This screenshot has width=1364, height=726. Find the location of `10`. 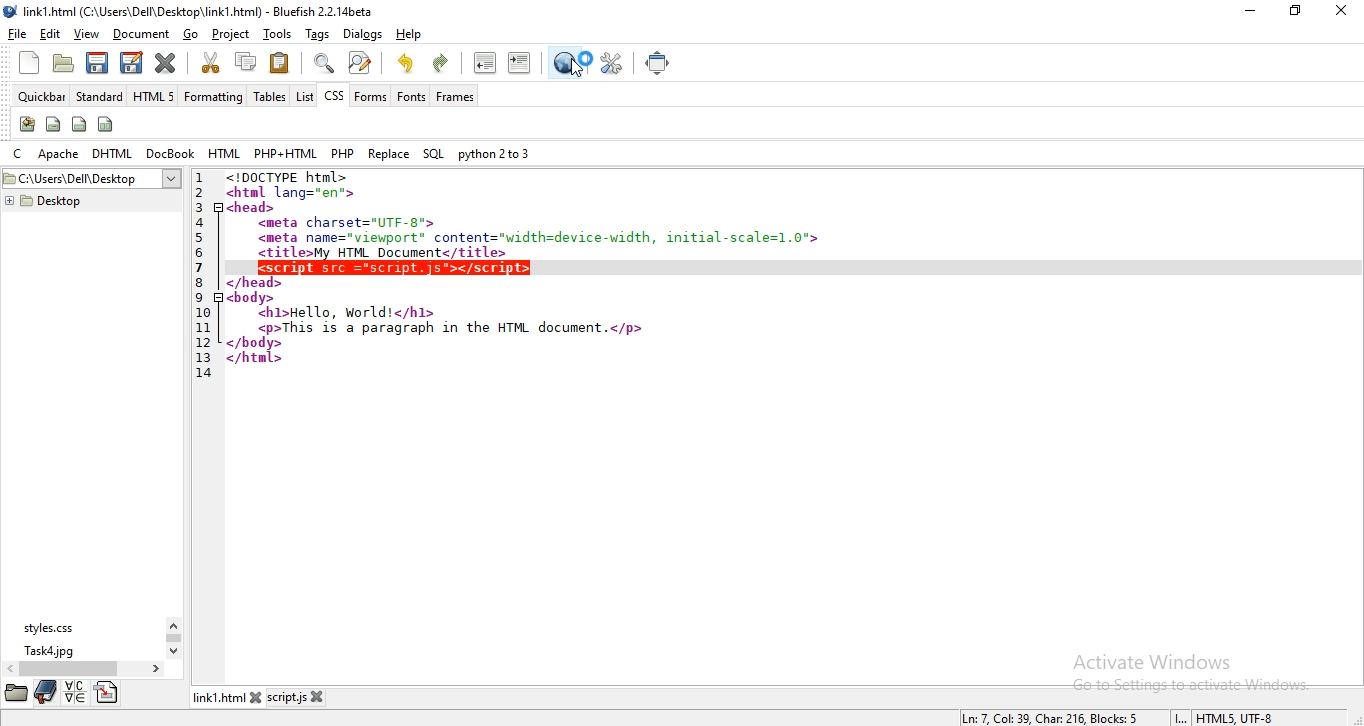

10 is located at coordinates (203, 313).